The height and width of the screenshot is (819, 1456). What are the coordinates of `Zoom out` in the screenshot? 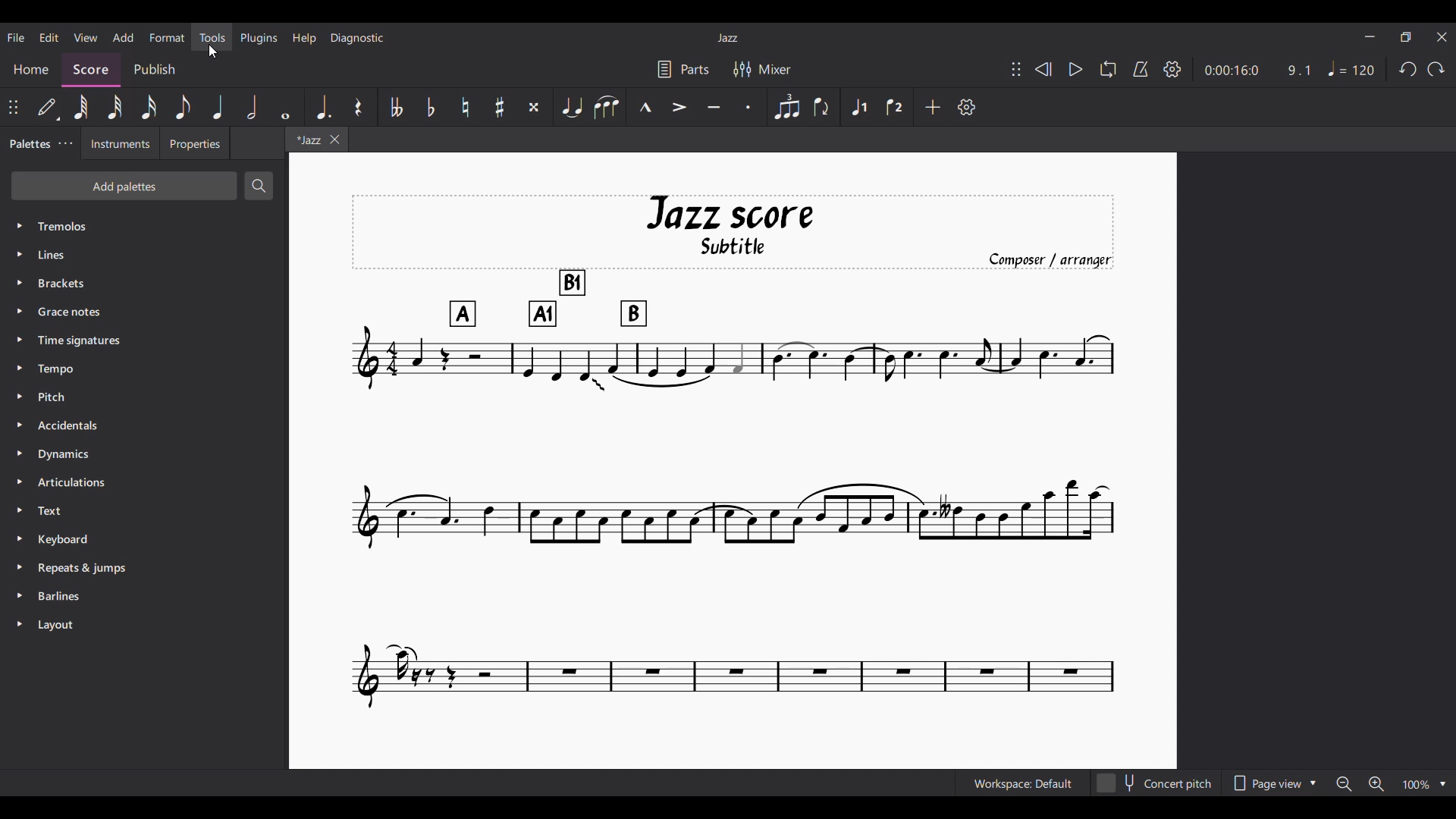 It's located at (1345, 784).